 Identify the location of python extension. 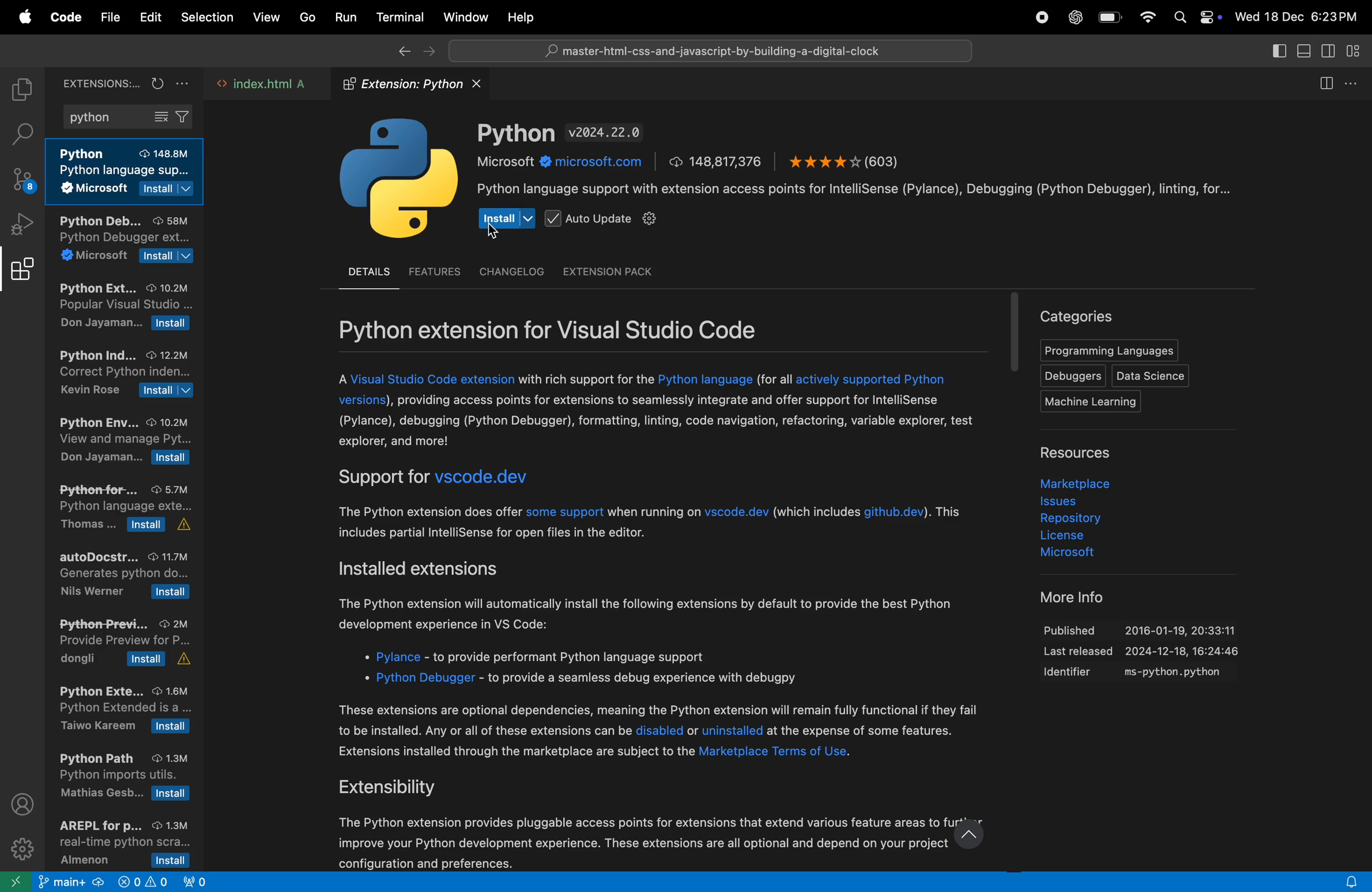
(129, 173).